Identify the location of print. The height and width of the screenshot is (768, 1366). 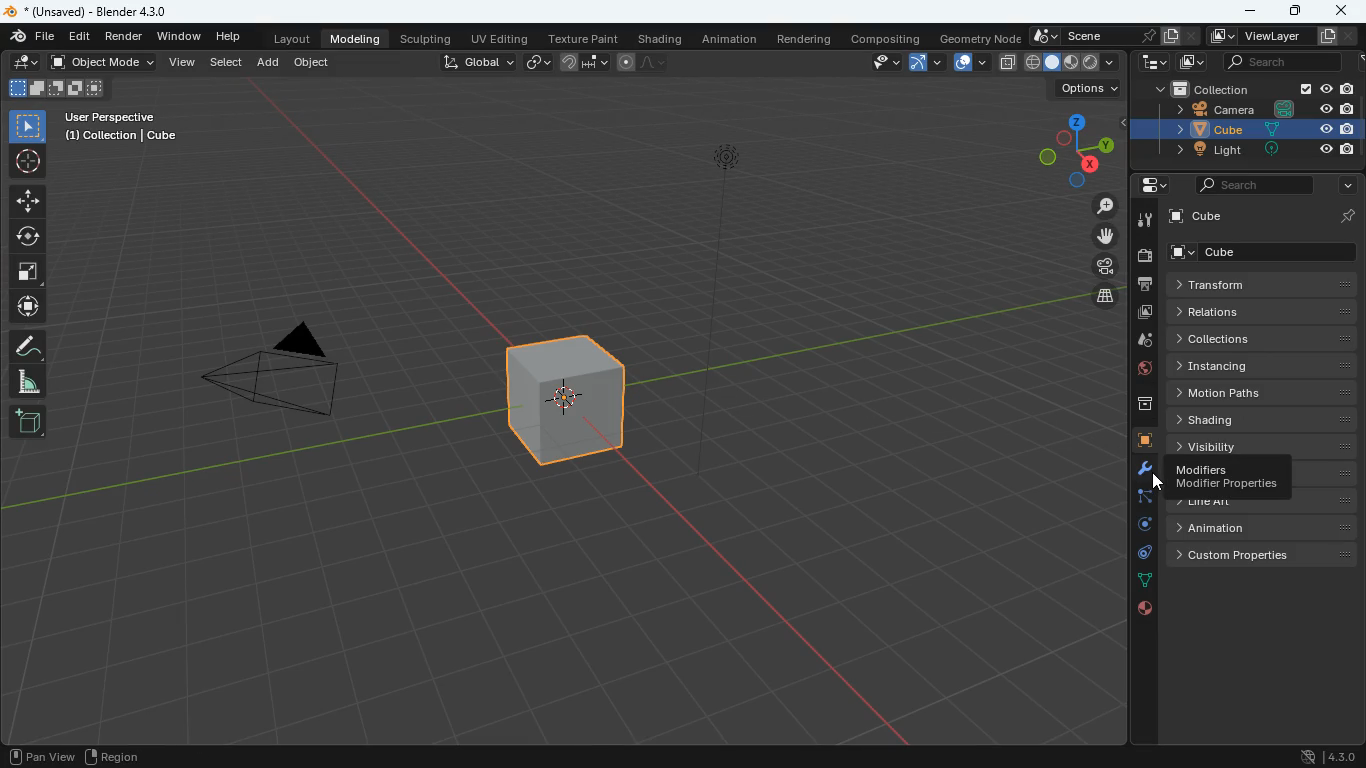
(1142, 286).